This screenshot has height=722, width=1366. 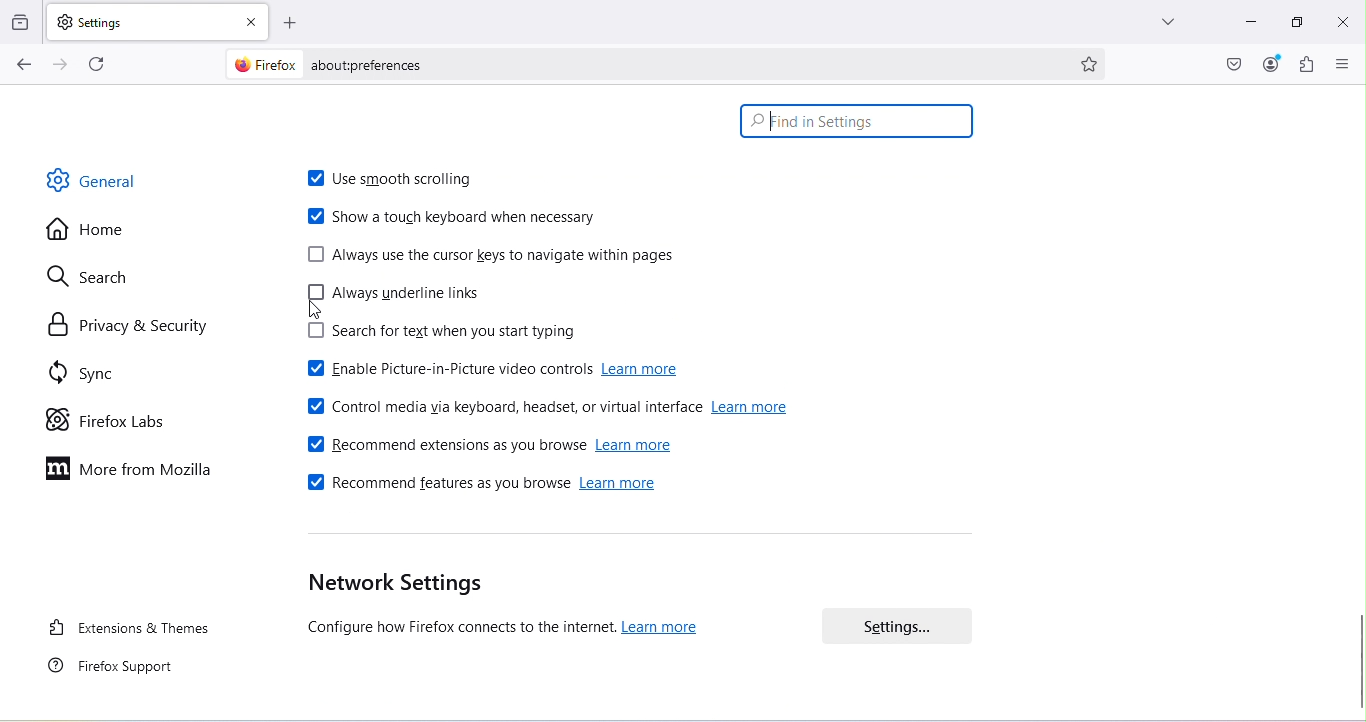 I want to click on Save to pocket, so click(x=1235, y=65).